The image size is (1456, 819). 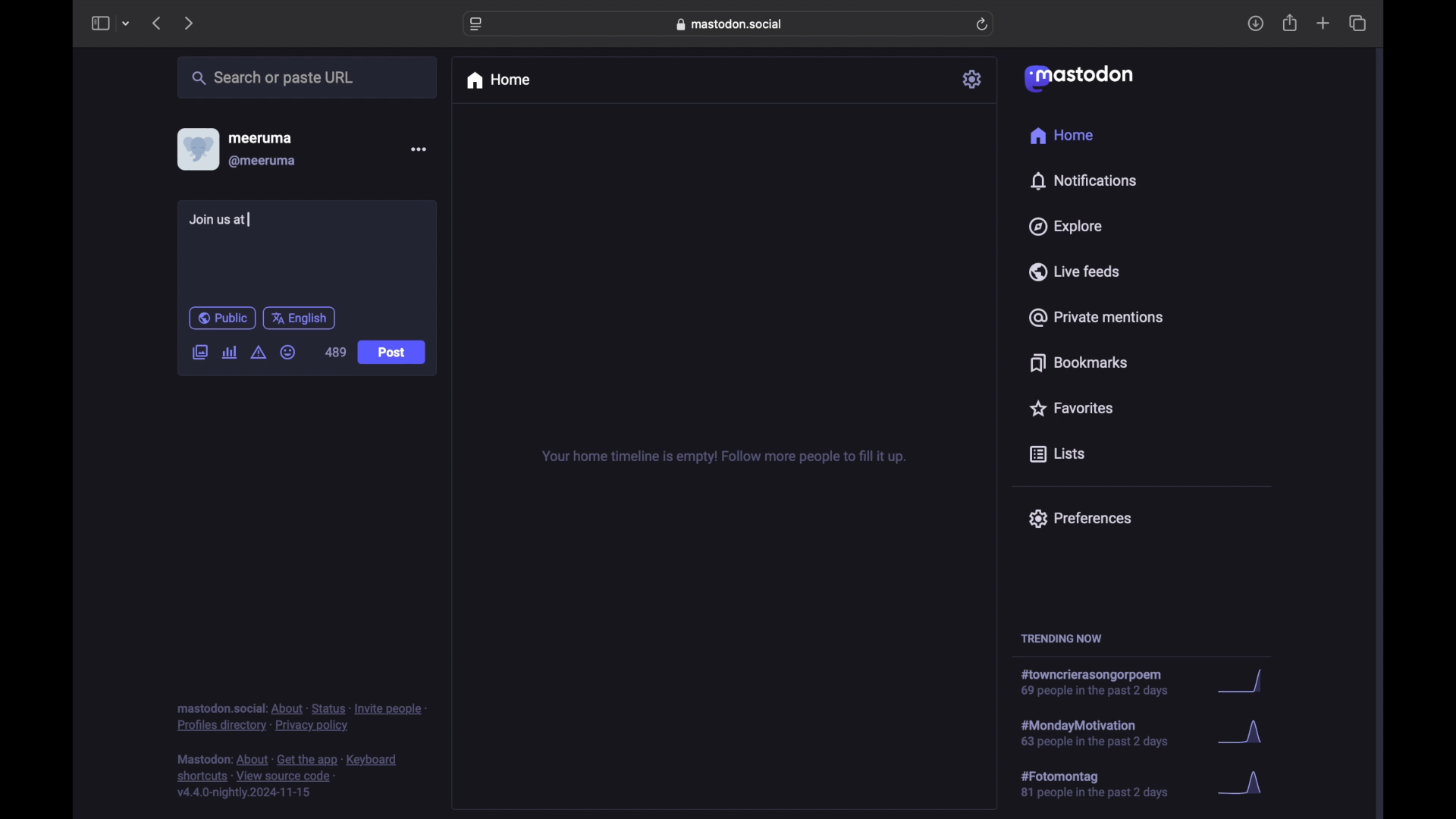 I want to click on mastodon, so click(x=1077, y=77).